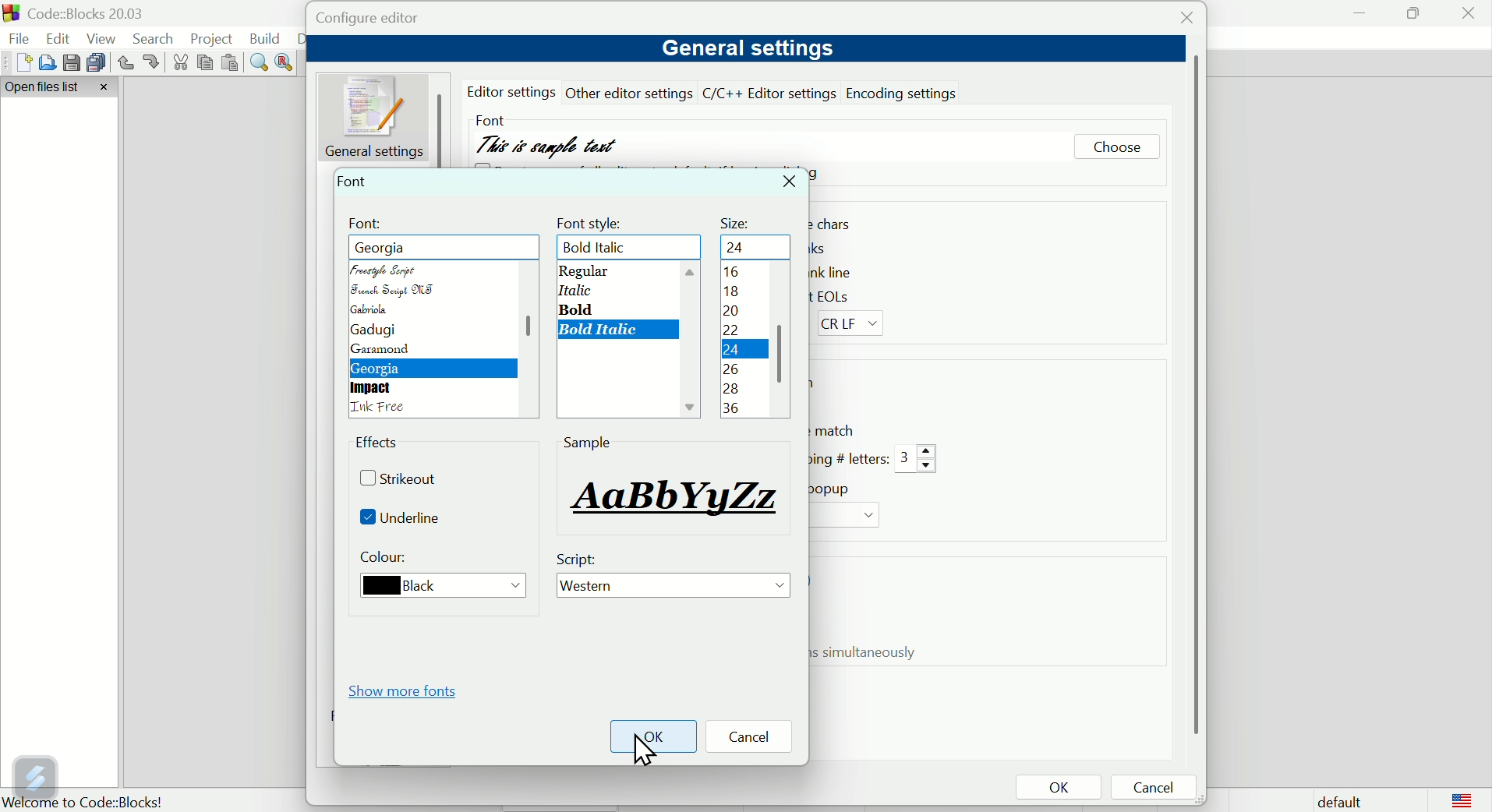 The width and height of the screenshot is (1492, 812). Describe the element at coordinates (394, 291) in the screenshot. I see `French script` at that location.